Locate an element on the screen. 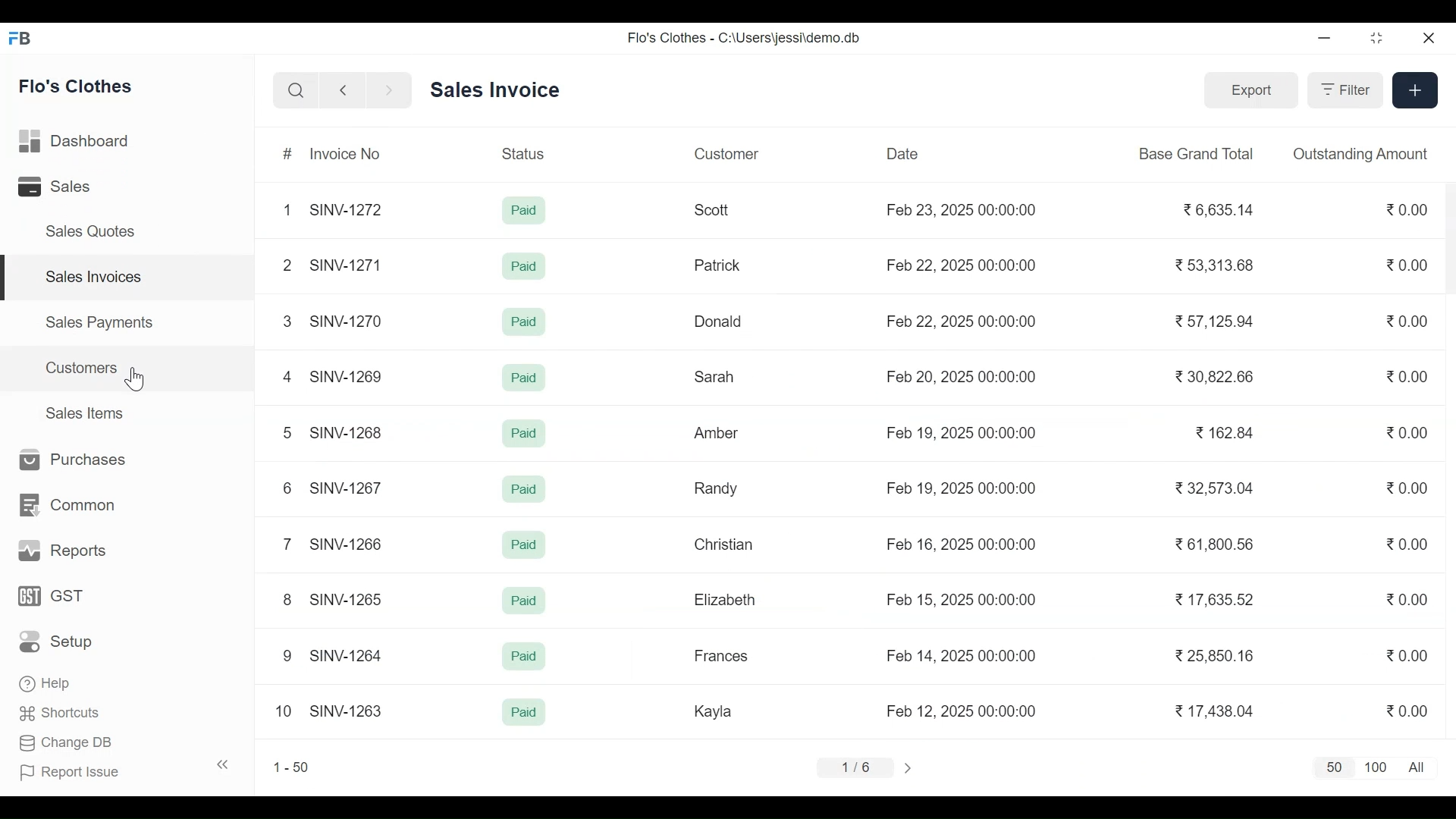 The width and height of the screenshot is (1456, 819). 17,438.04 is located at coordinates (1216, 711).